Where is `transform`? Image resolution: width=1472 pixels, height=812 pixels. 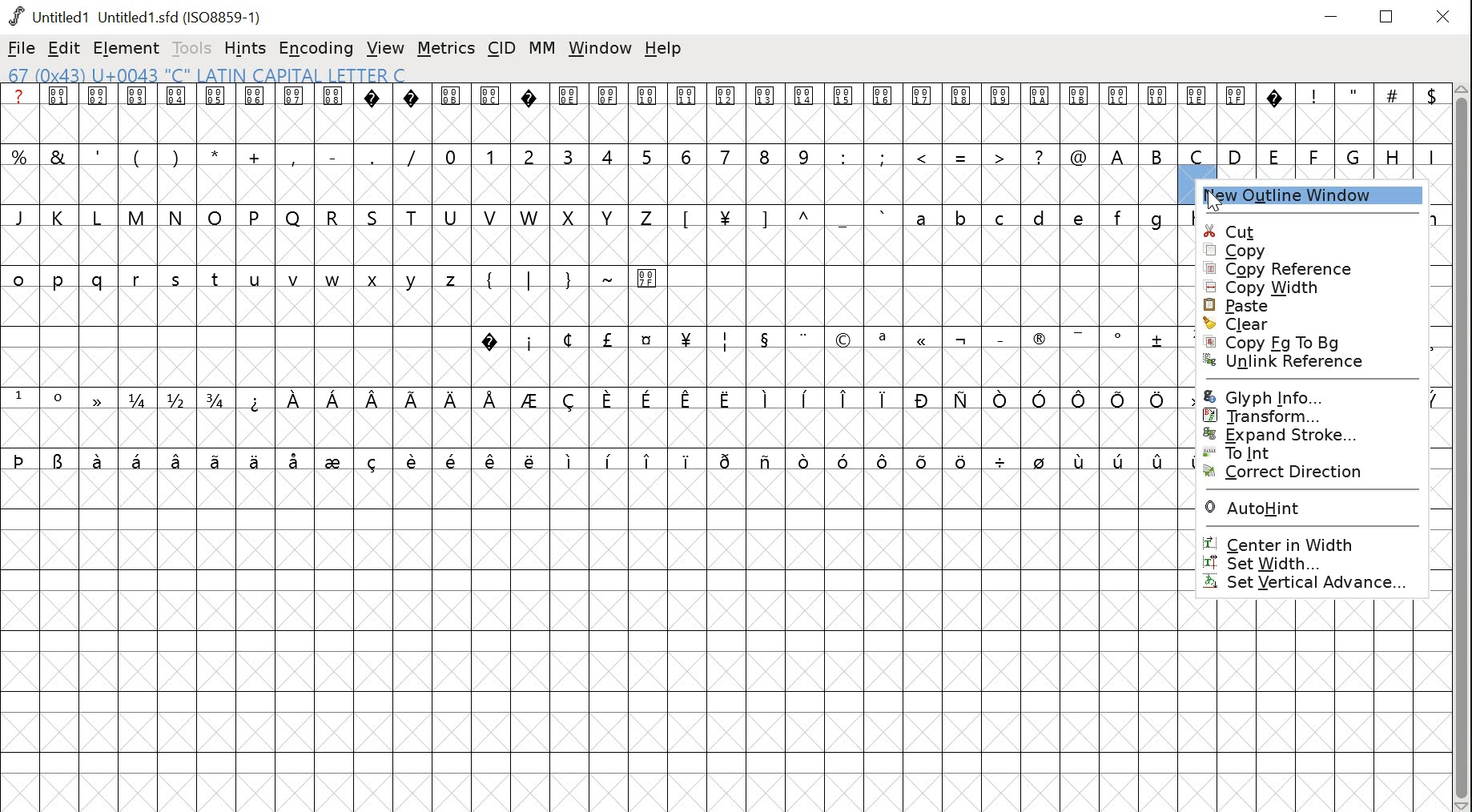 transform is located at coordinates (1301, 416).